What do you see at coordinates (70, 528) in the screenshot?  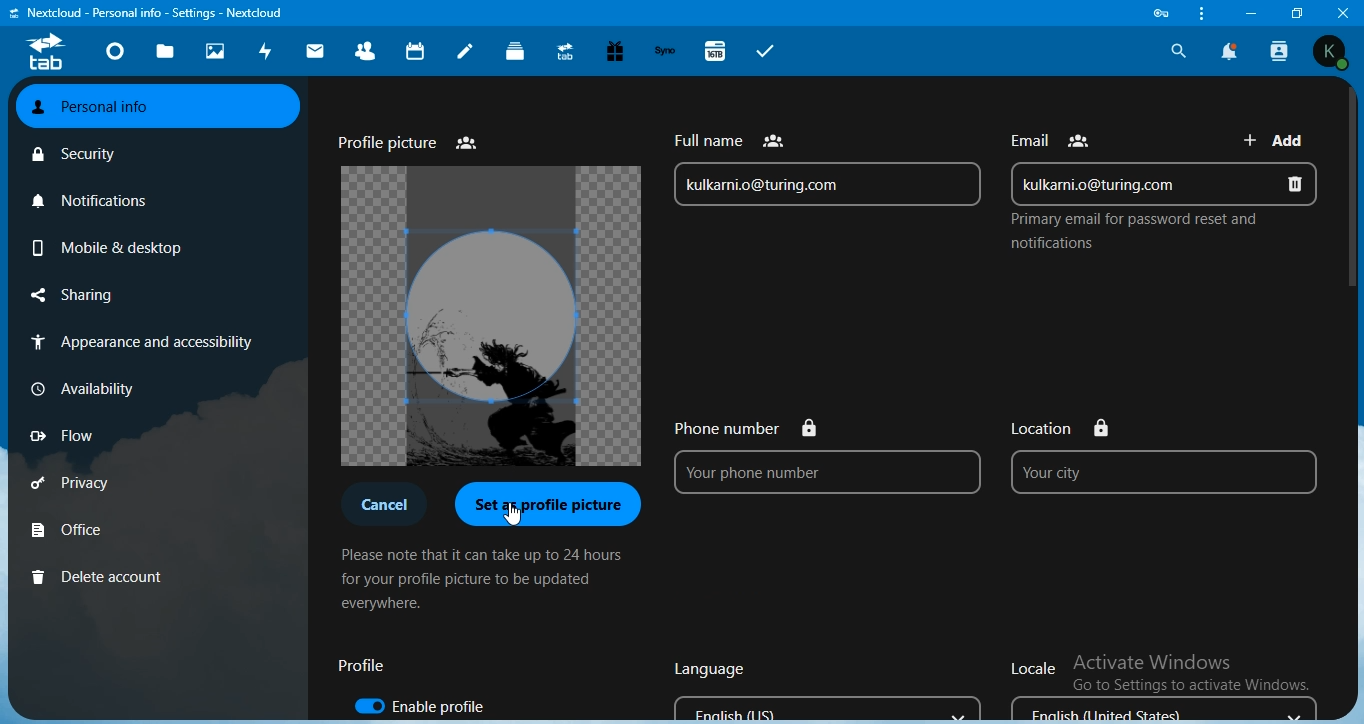 I see `office` at bounding box center [70, 528].